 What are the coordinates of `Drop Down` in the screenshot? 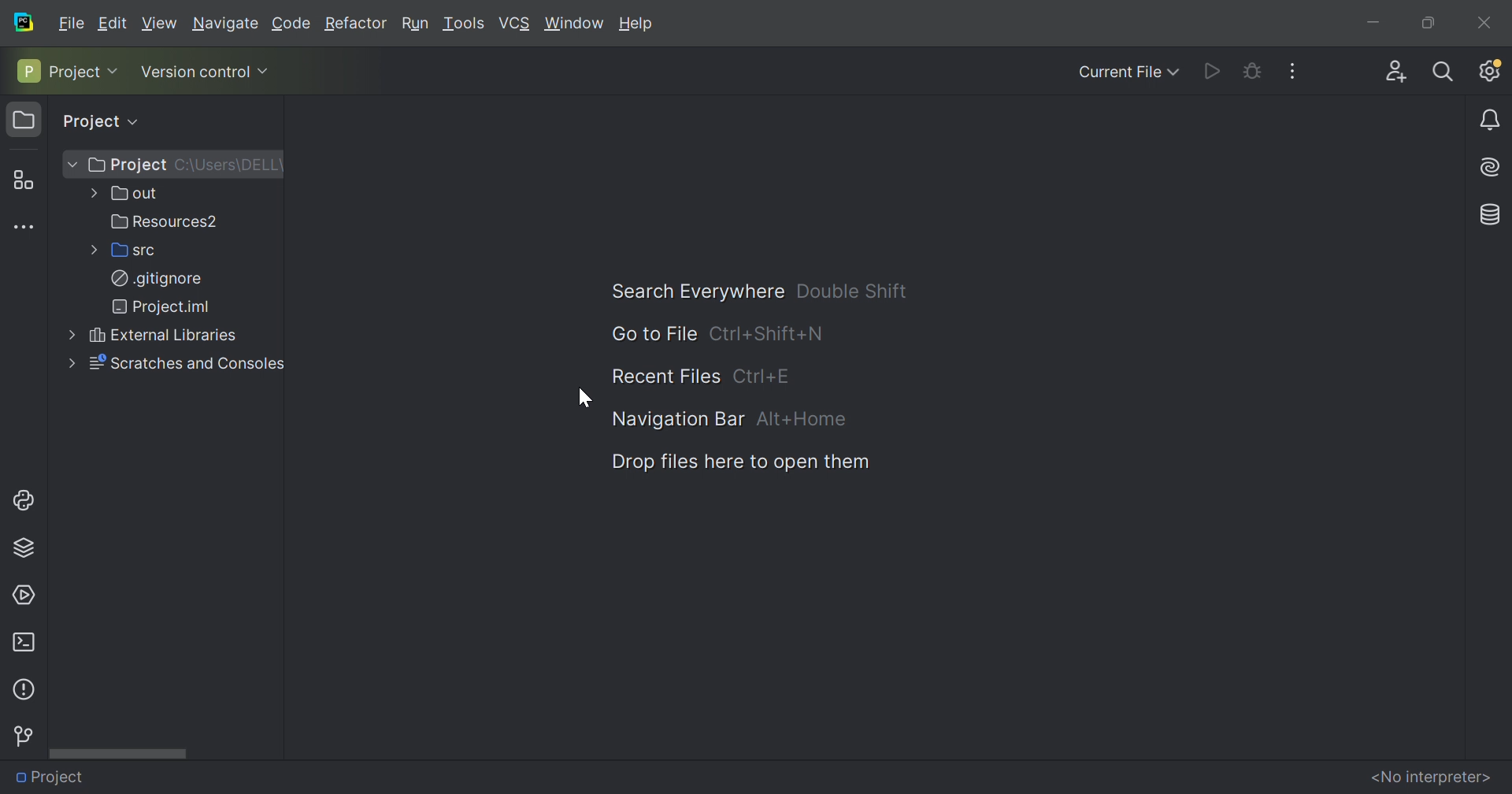 It's located at (131, 121).